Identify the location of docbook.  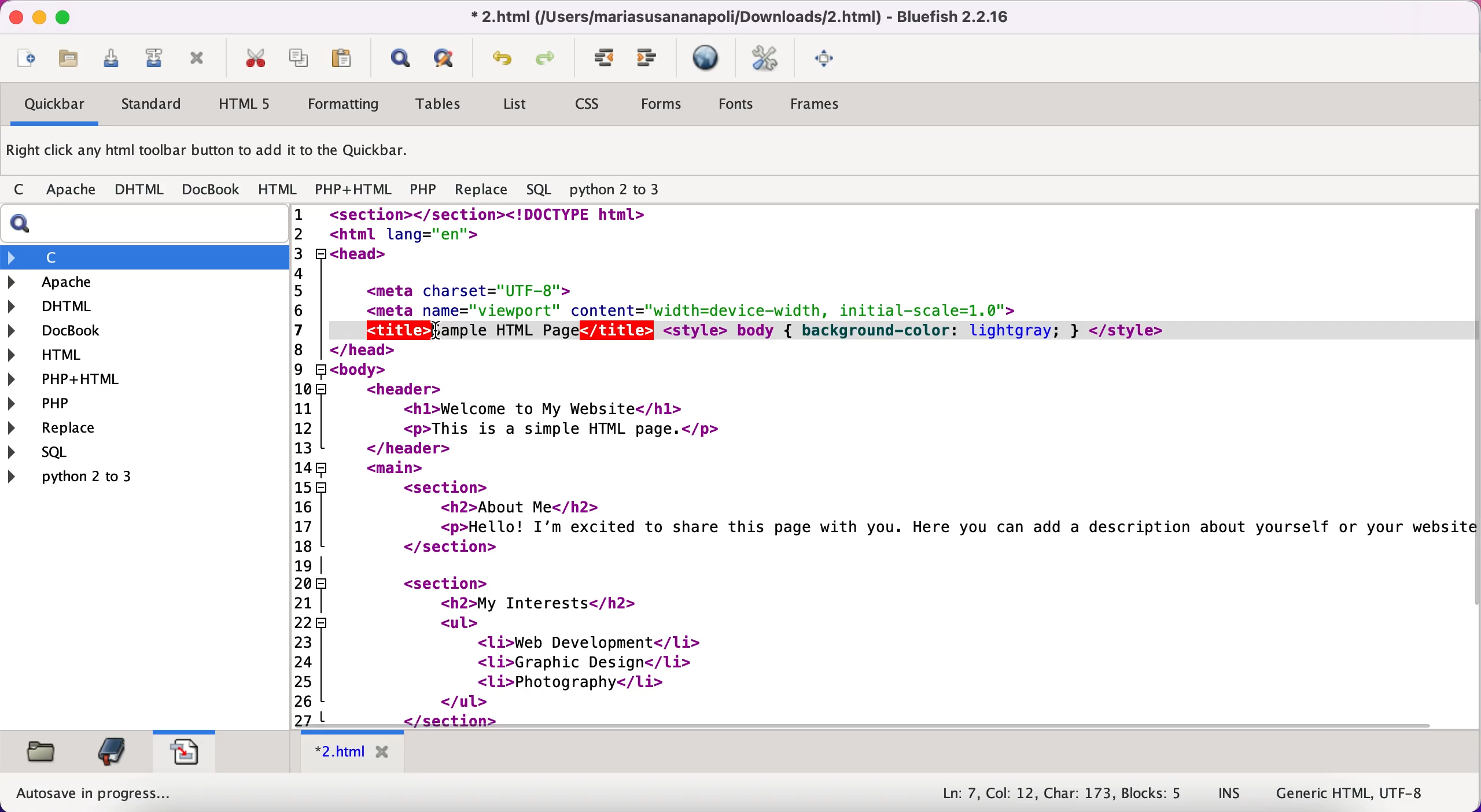
(64, 332).